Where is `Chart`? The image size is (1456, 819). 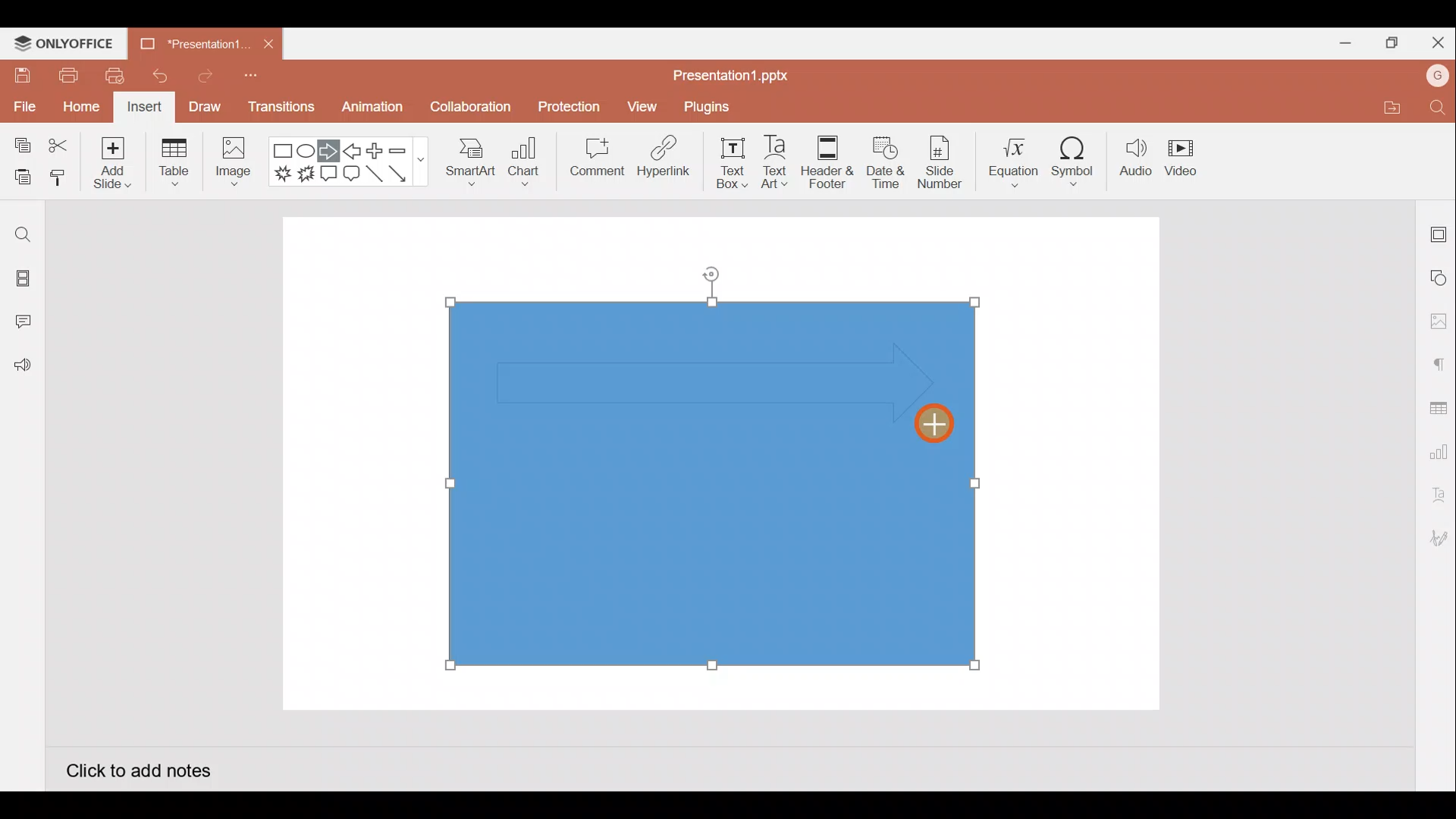 Chart is located at coordinates (525, 160).